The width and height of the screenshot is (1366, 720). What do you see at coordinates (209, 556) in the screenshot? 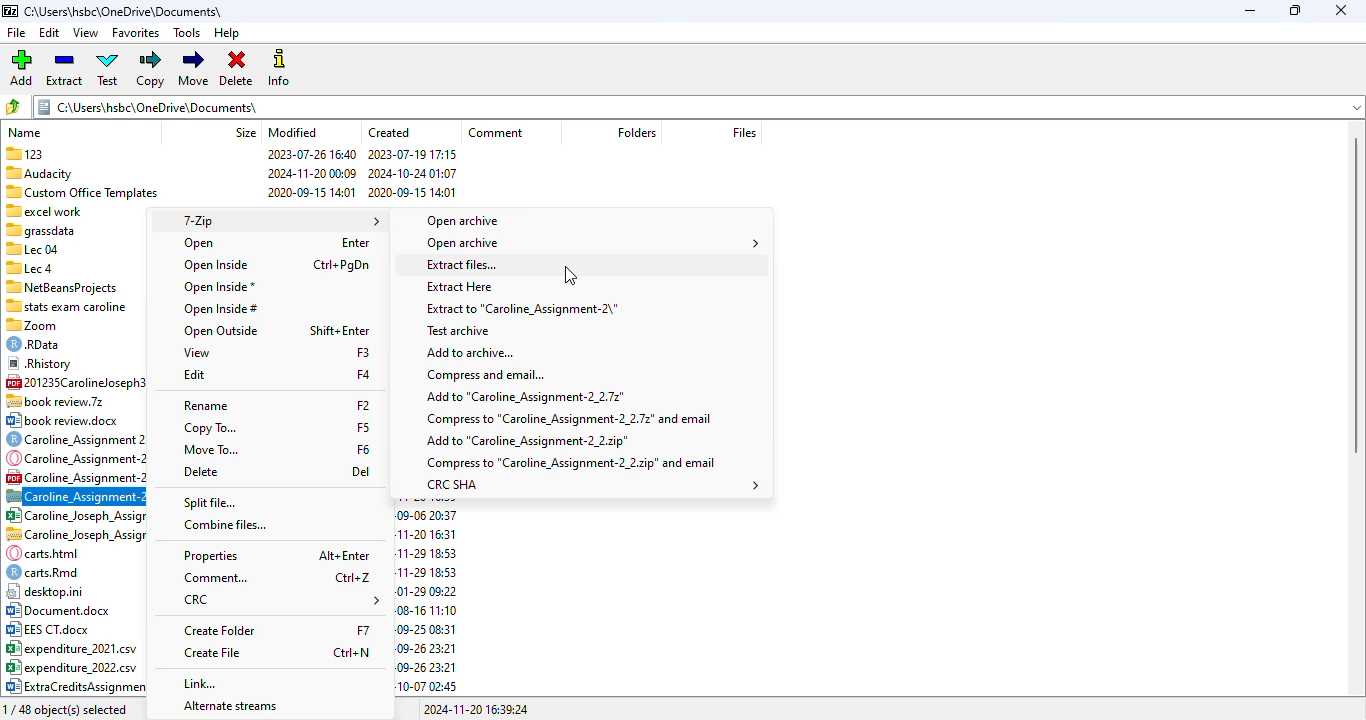
I see `properties` at bounding box center [209, 556].